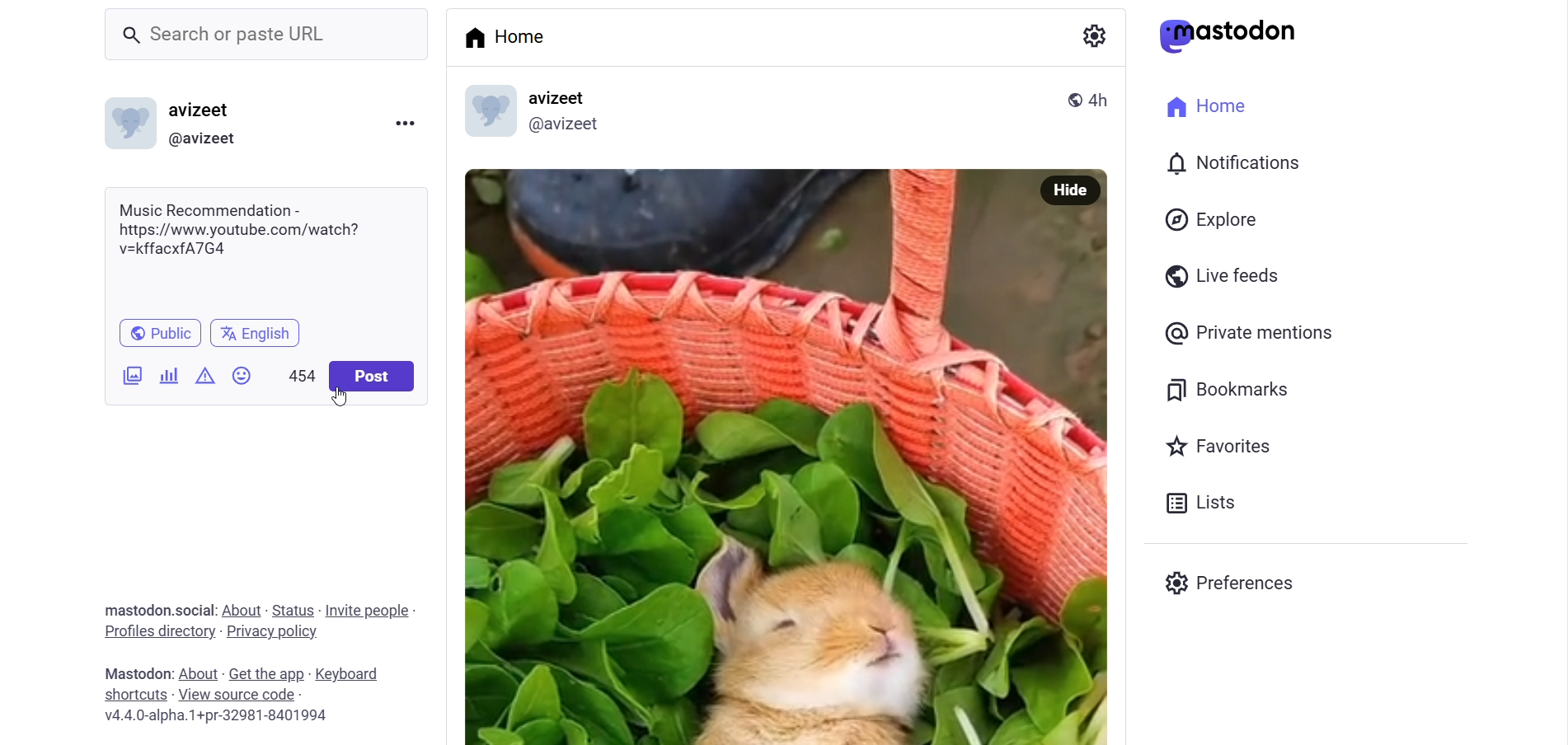  I want to click on Preferenes, so click(1232, 584).